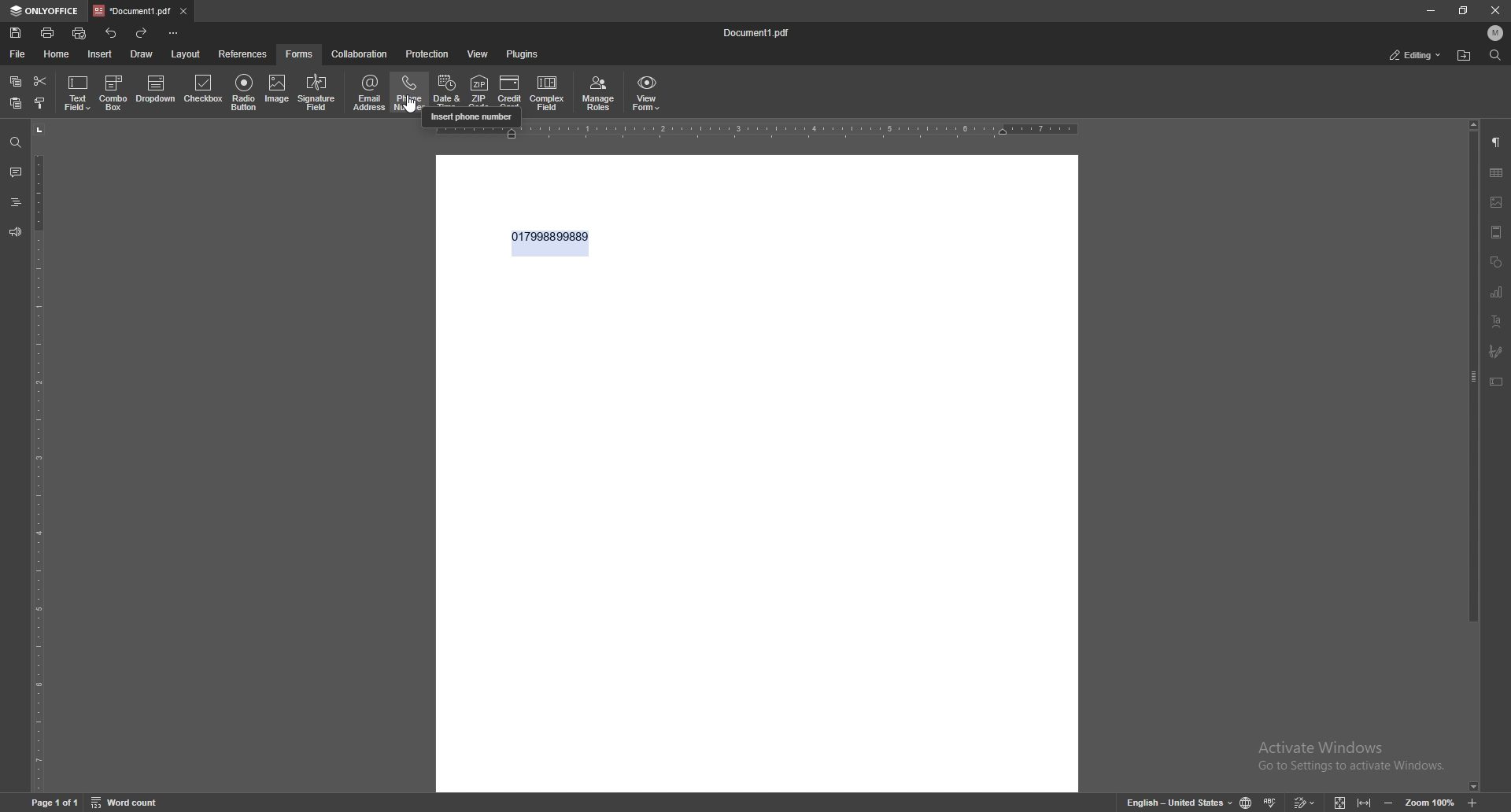 This screenshot has height=812, width=1511. Describe the element at coordinates (1497, 291) in the screenshot. I see `chart` at that location.